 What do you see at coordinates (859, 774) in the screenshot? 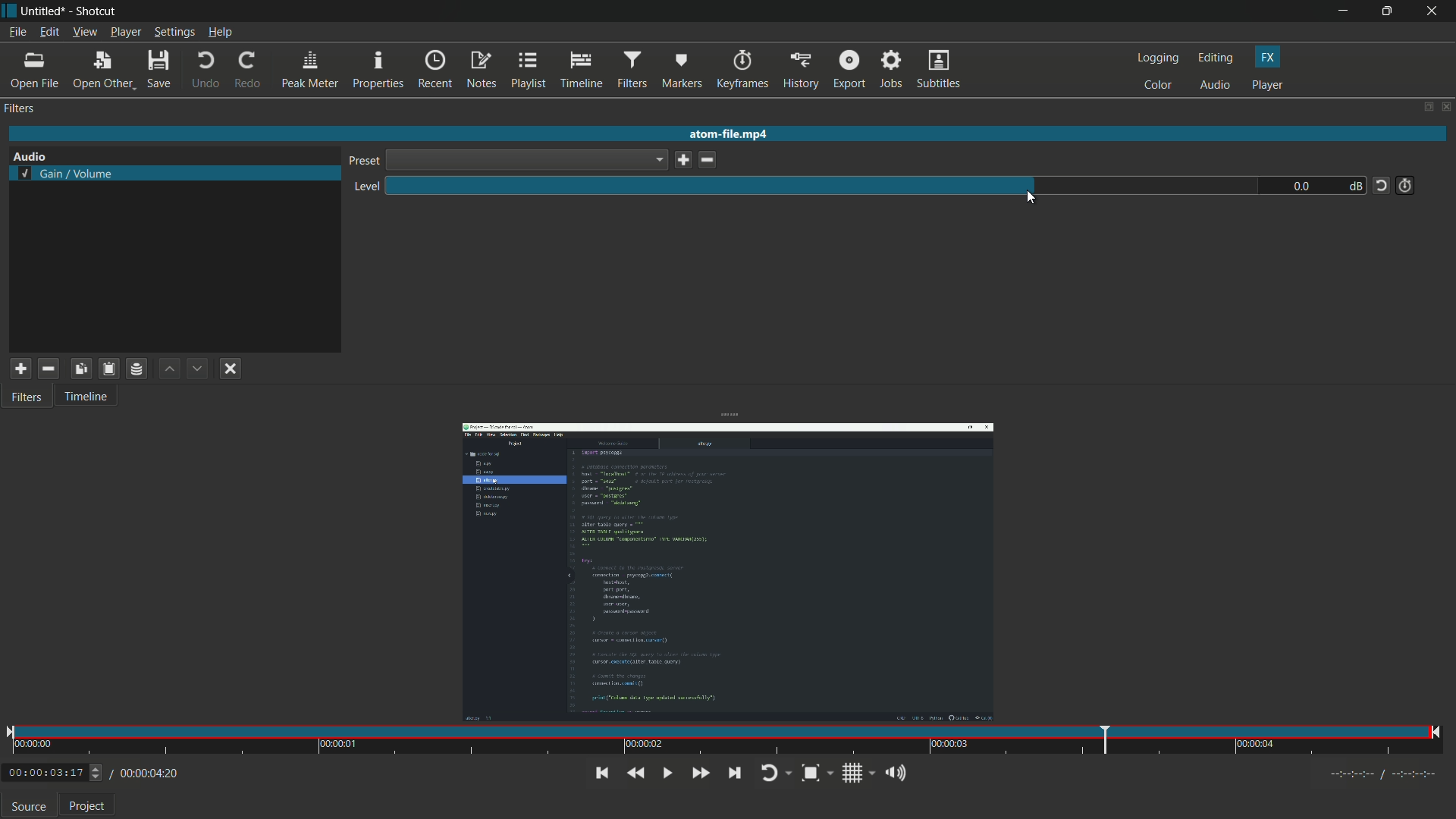
I see `toggle grid` at bounding box center [859, 774].